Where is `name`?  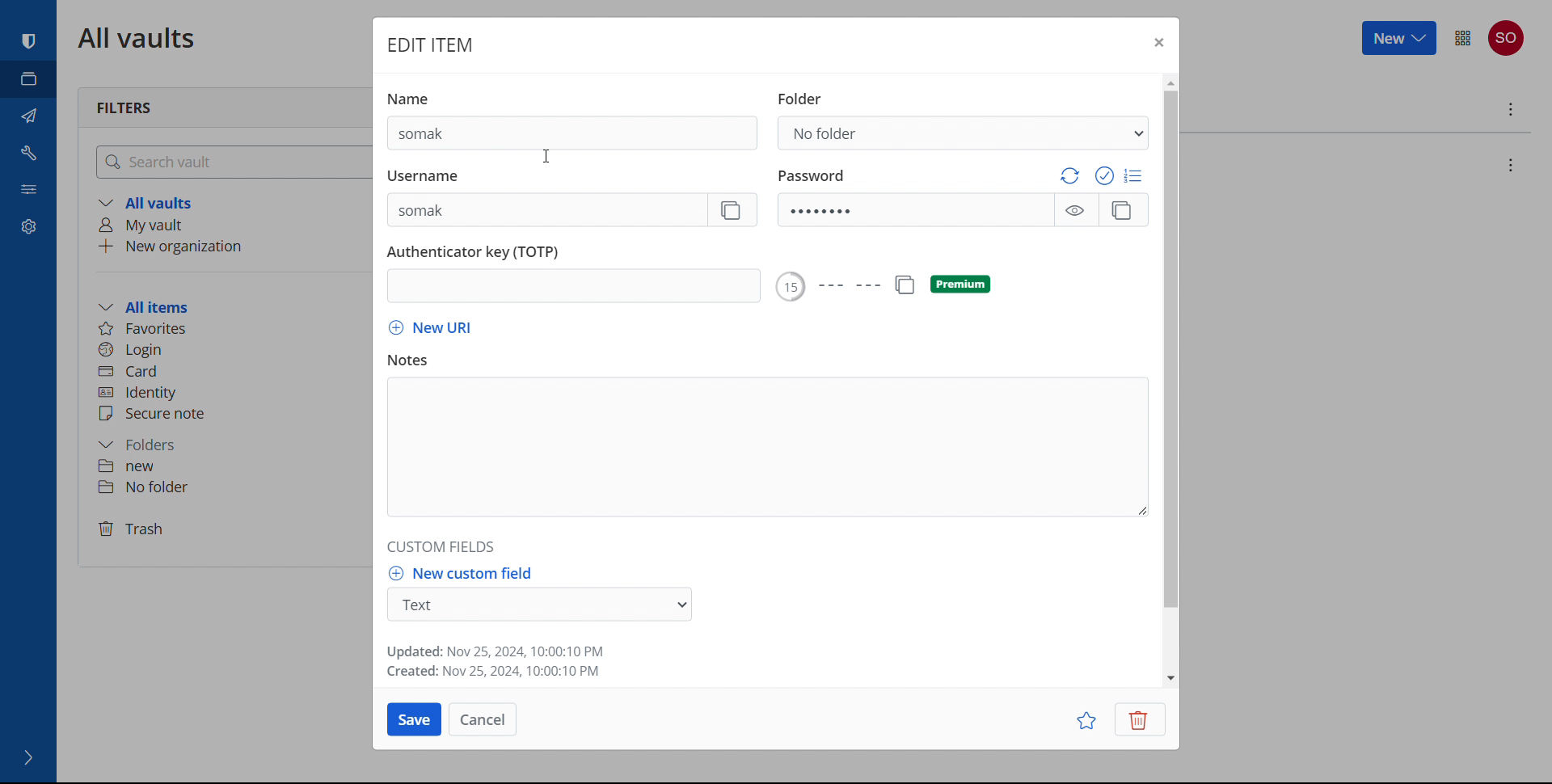
name is located at coordinates (571, 133).